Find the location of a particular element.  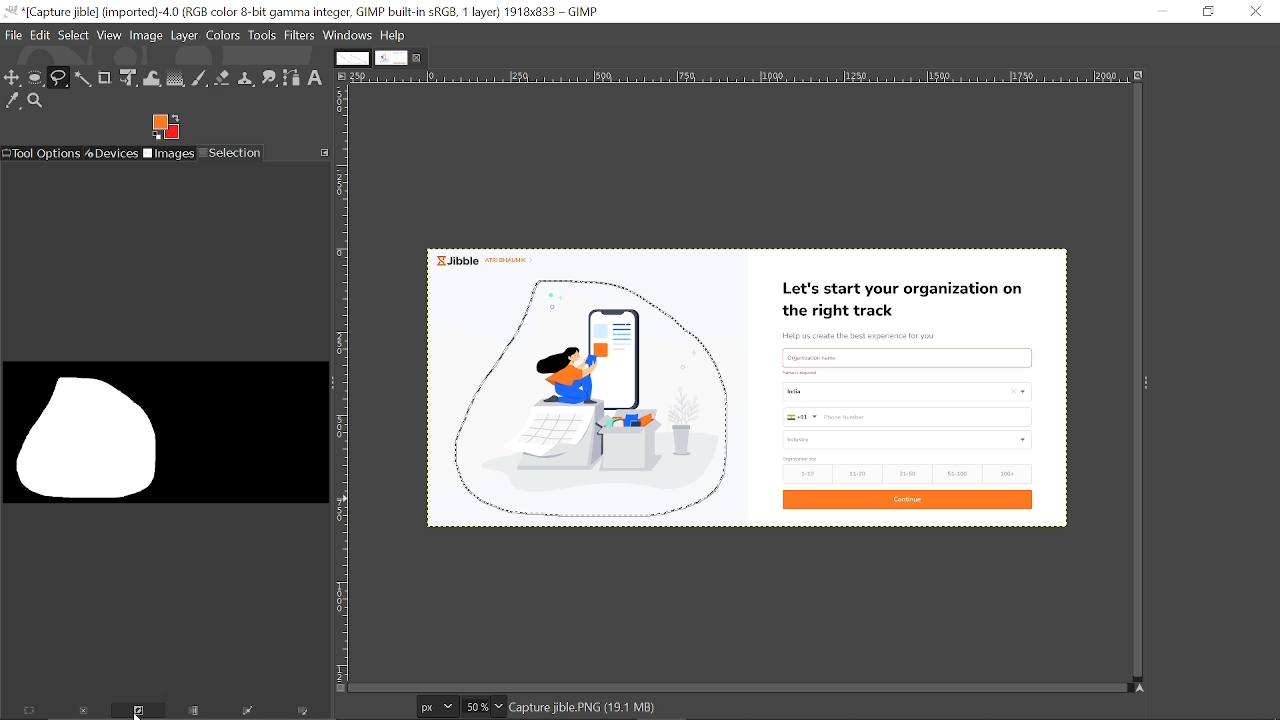

Minimize is located at coordinates (1162, 11).